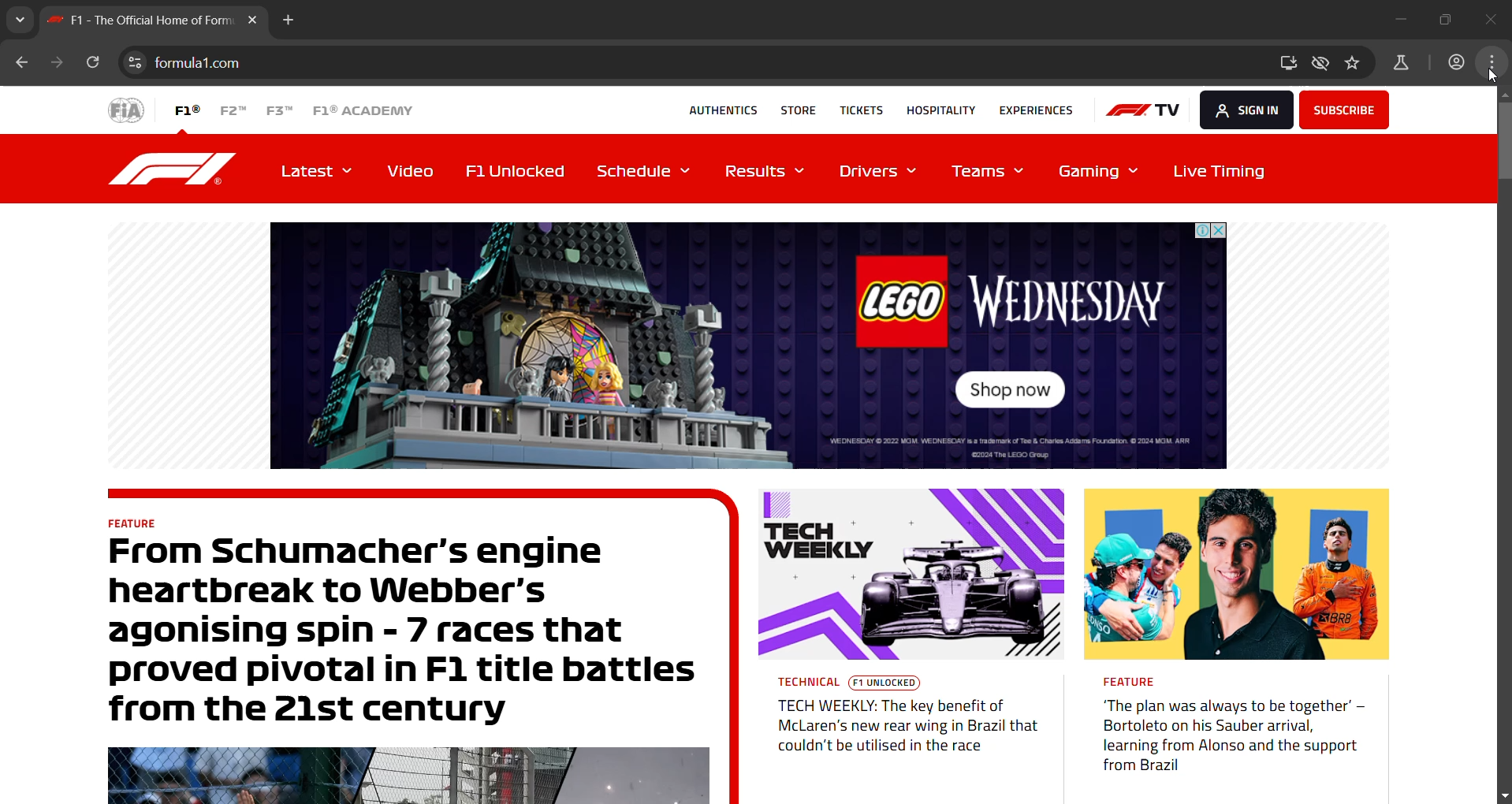 The image size is (1512, 804). What do you see at coordinates (1245, 110) in the screenshot?
I see `SGN IN` at bounding box center [1245, 110].